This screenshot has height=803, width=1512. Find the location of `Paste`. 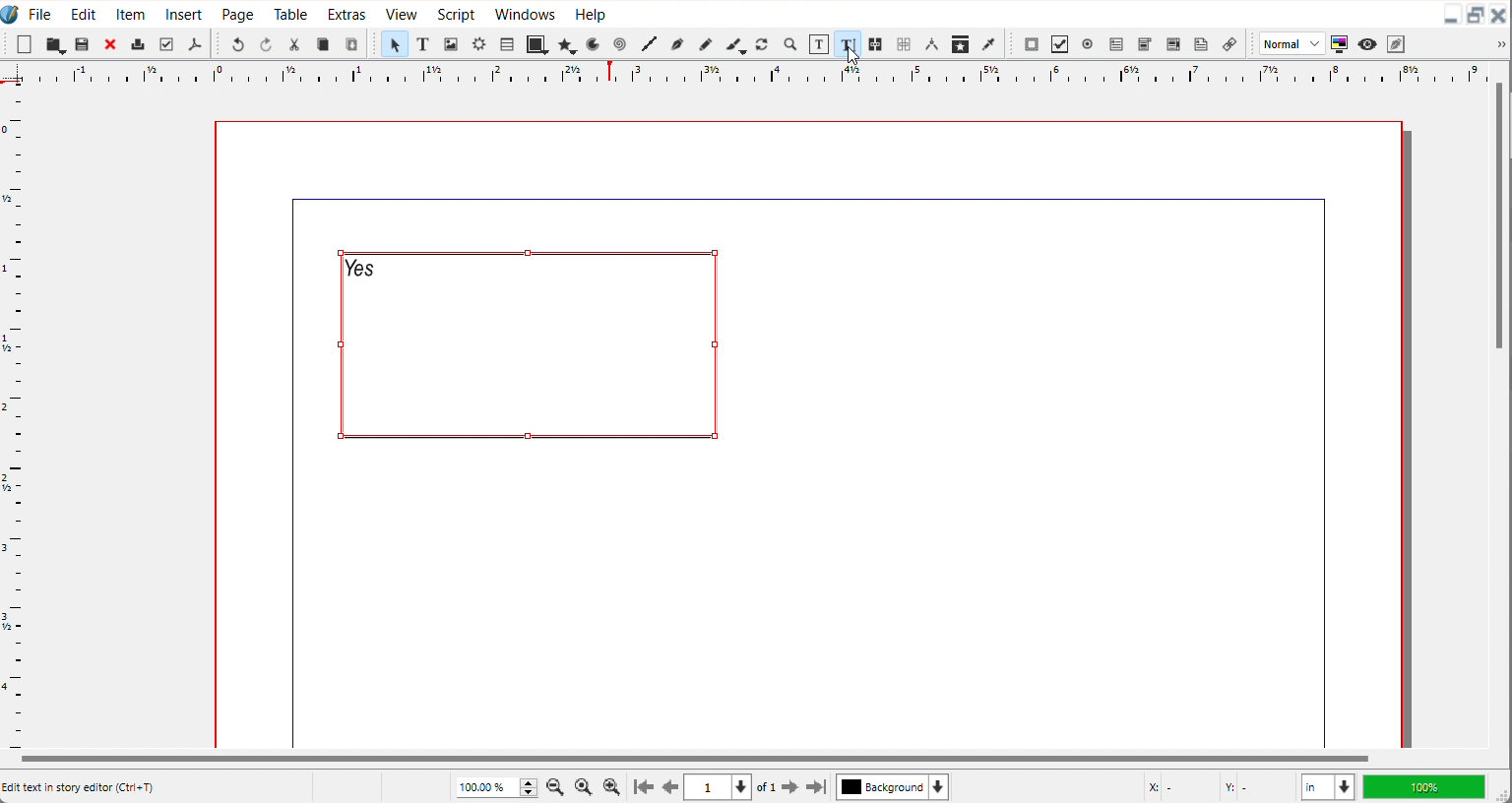

Paste is located at coordinates (351, 43).